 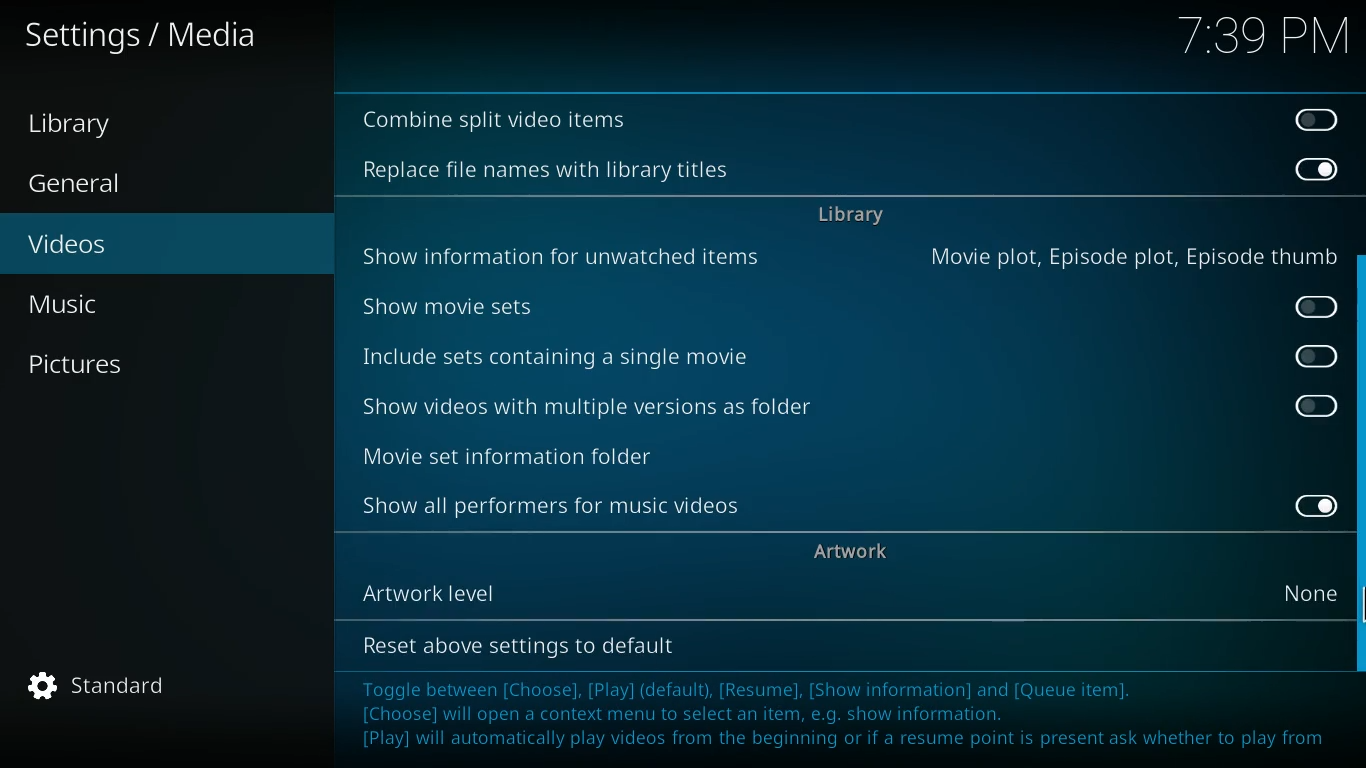 What do you see at coordinates (1317, 406) in the screenshot?
I see `off` at bounding box center [1317, 406].